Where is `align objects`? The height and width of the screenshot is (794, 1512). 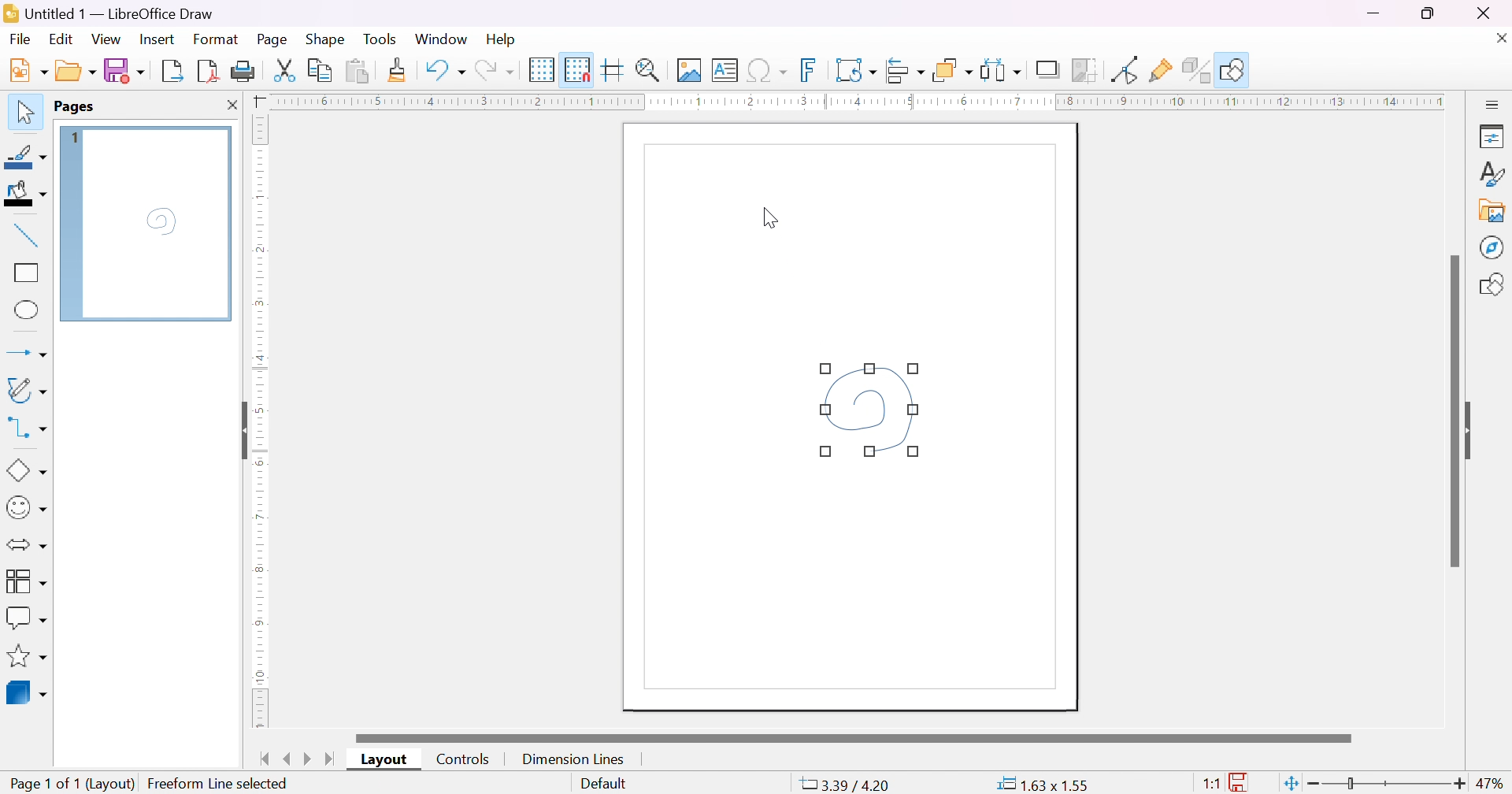
align objects is located at coordinates (903, 72).